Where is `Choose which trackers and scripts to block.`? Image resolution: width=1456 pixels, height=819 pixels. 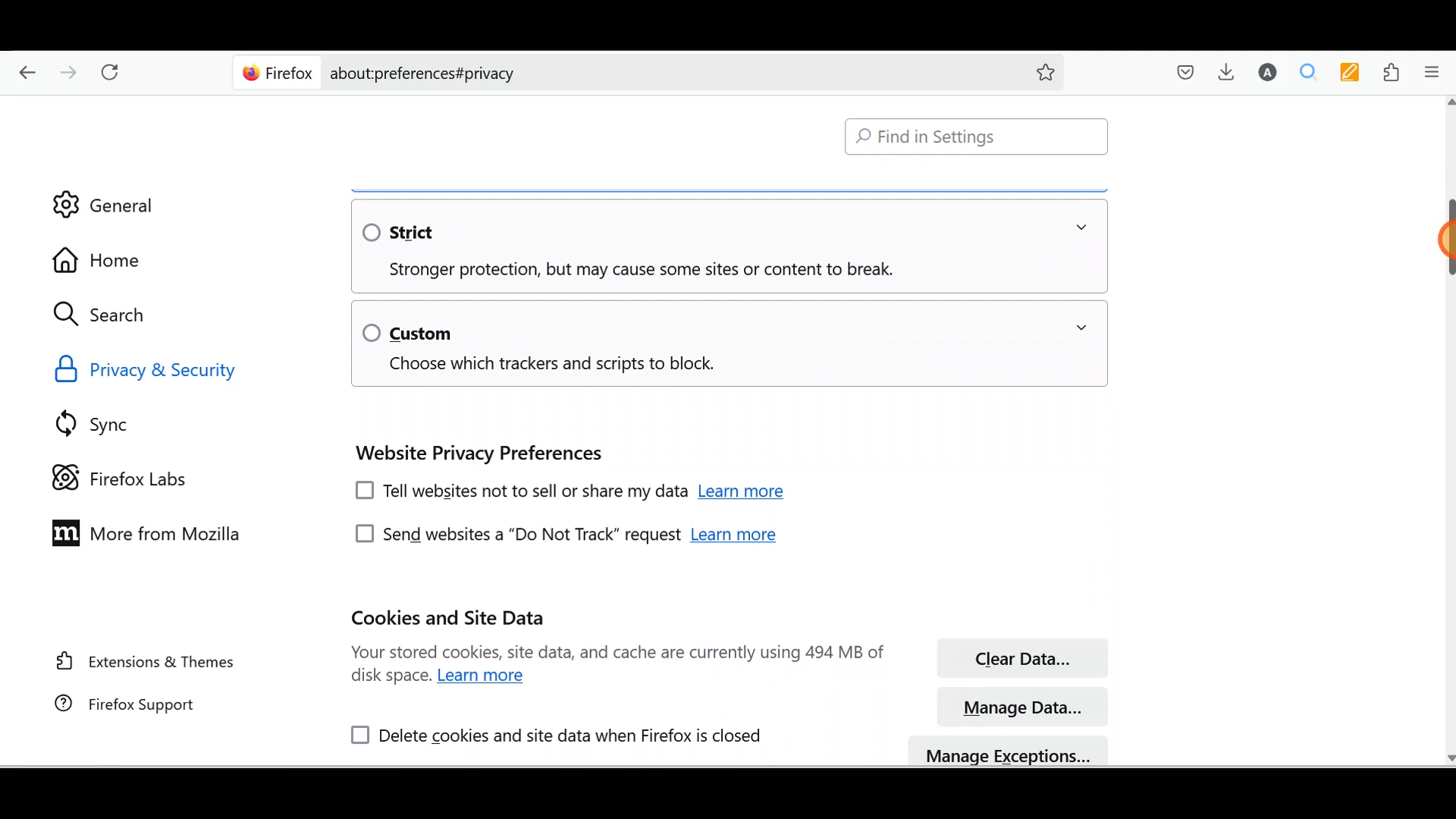
Choose which trackers and scripts to block. is located at coordinates (542, 366).